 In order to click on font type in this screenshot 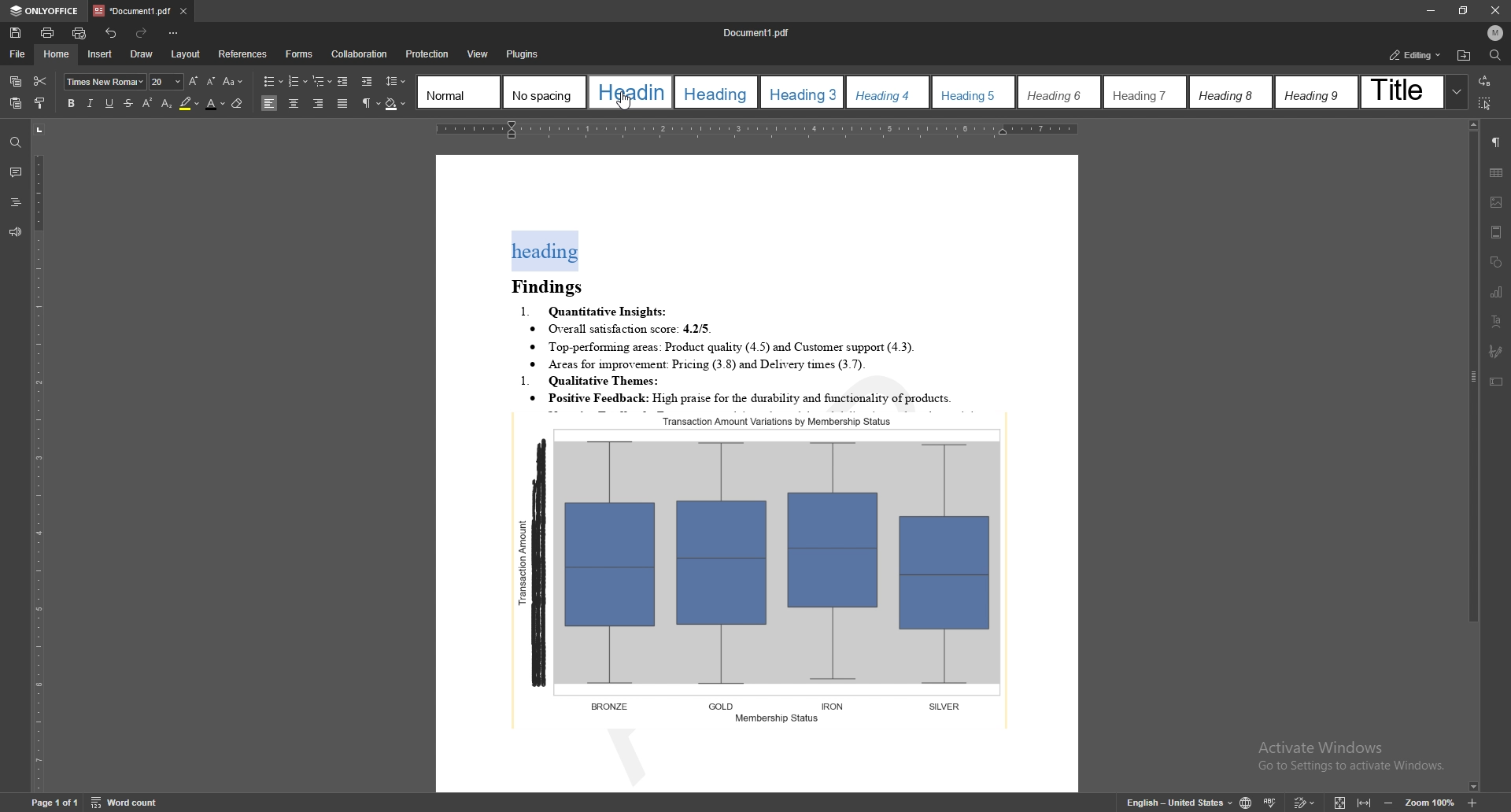, I will do `click(106, 81)`.